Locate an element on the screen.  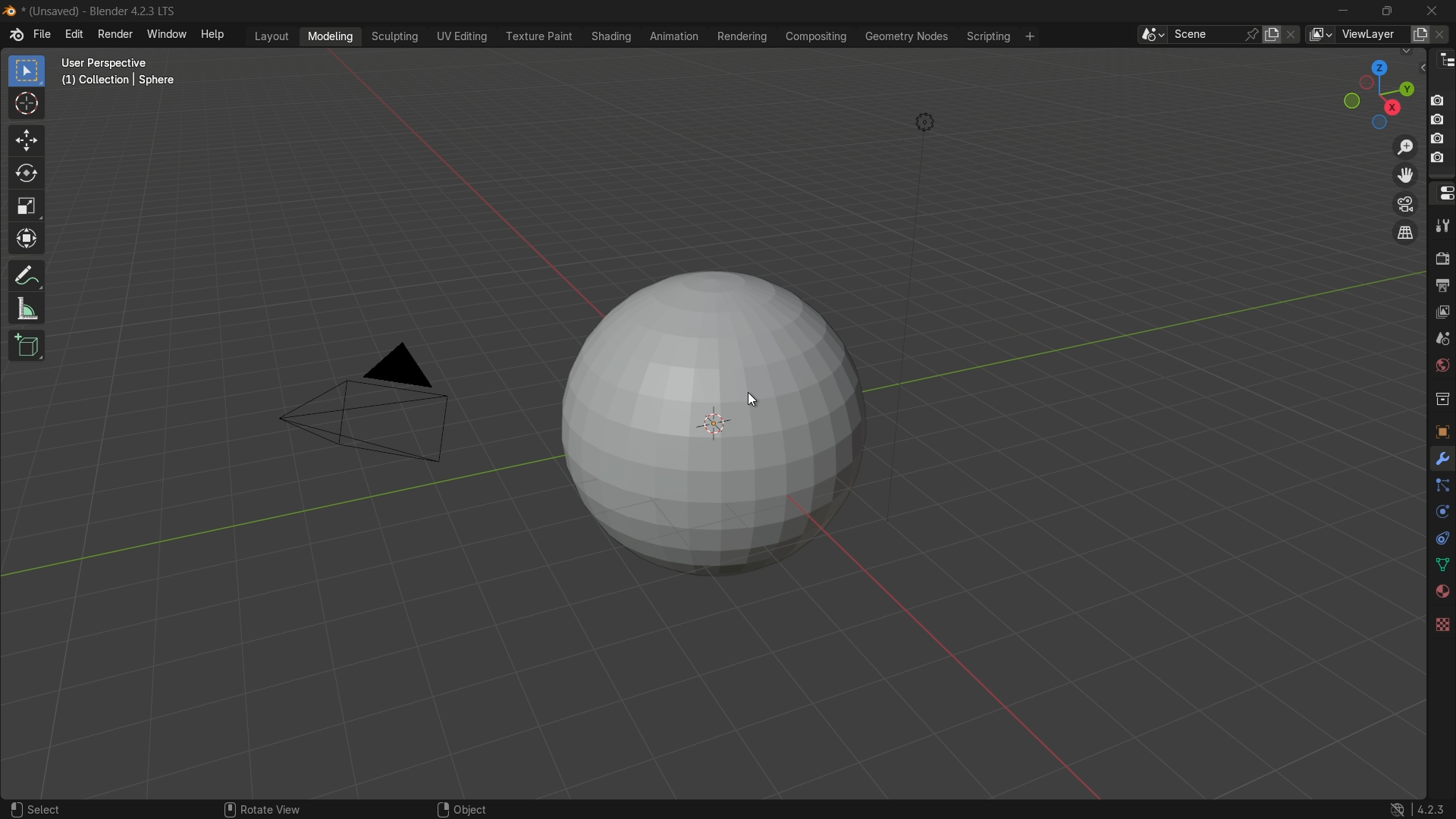
sculpting menu is located at coordinates (396, 37).